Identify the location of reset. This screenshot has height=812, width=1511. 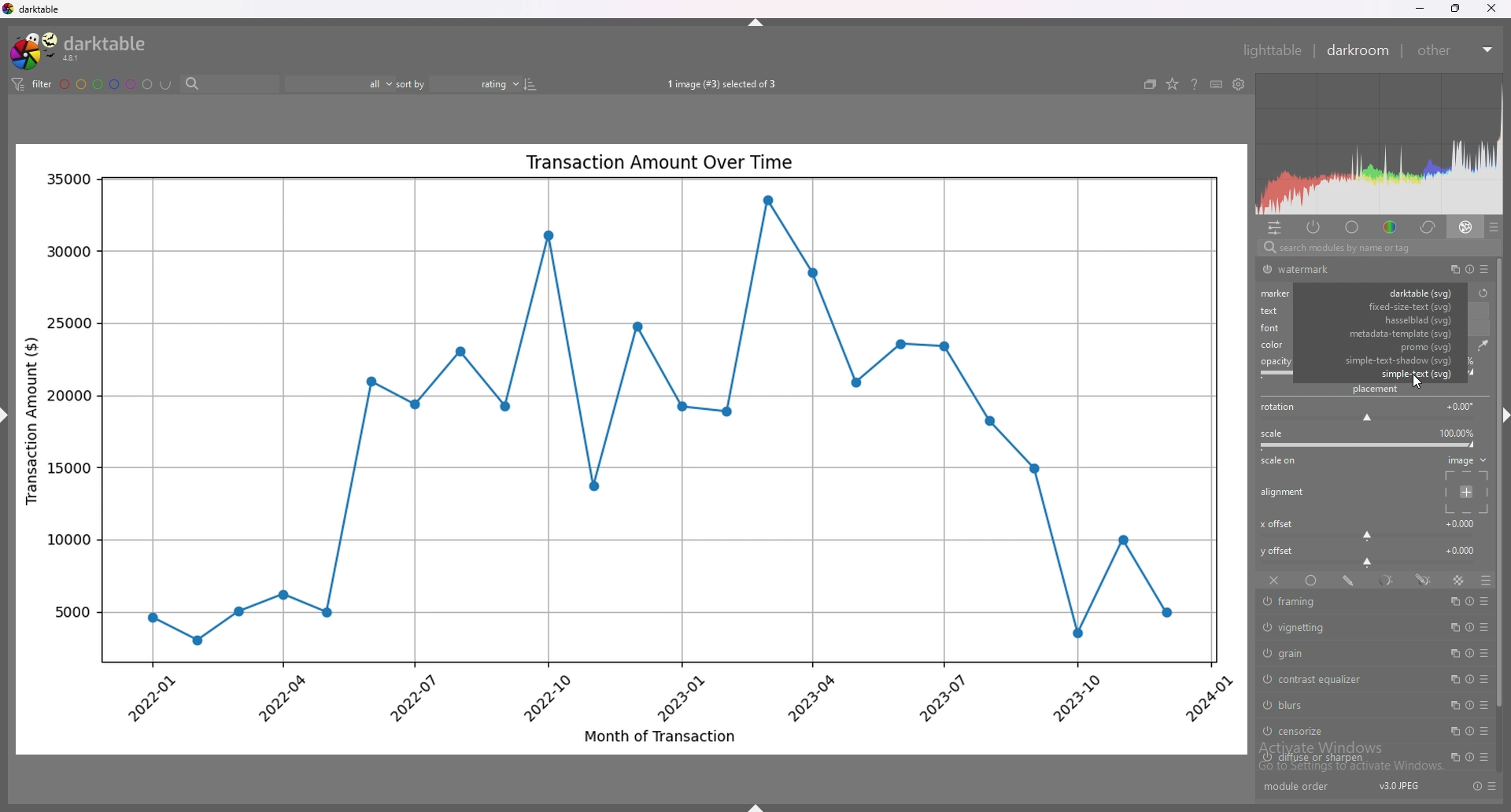
(1469, 653).